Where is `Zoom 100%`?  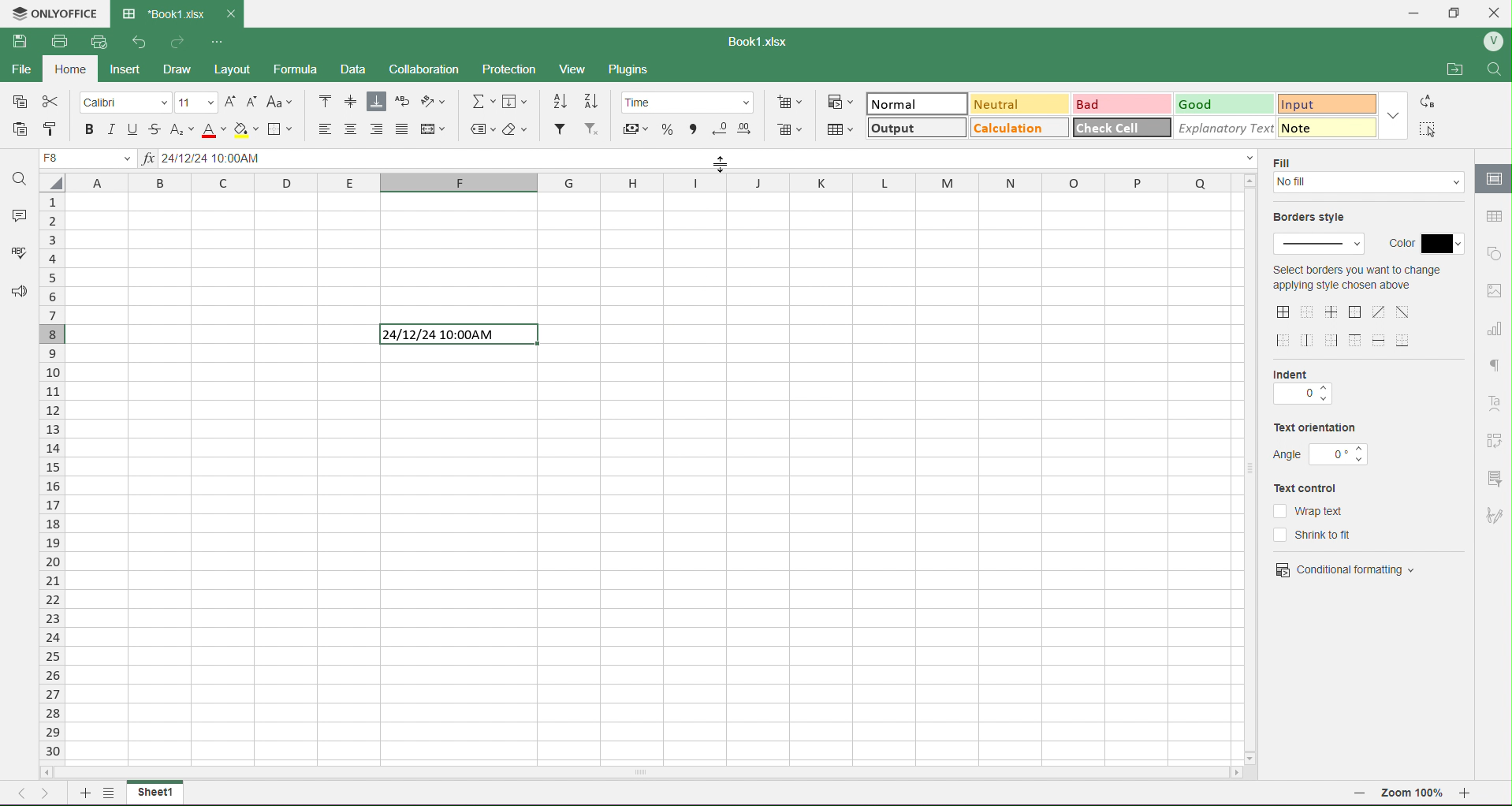
Zoom 100% is located at coordinates (1414, 795).